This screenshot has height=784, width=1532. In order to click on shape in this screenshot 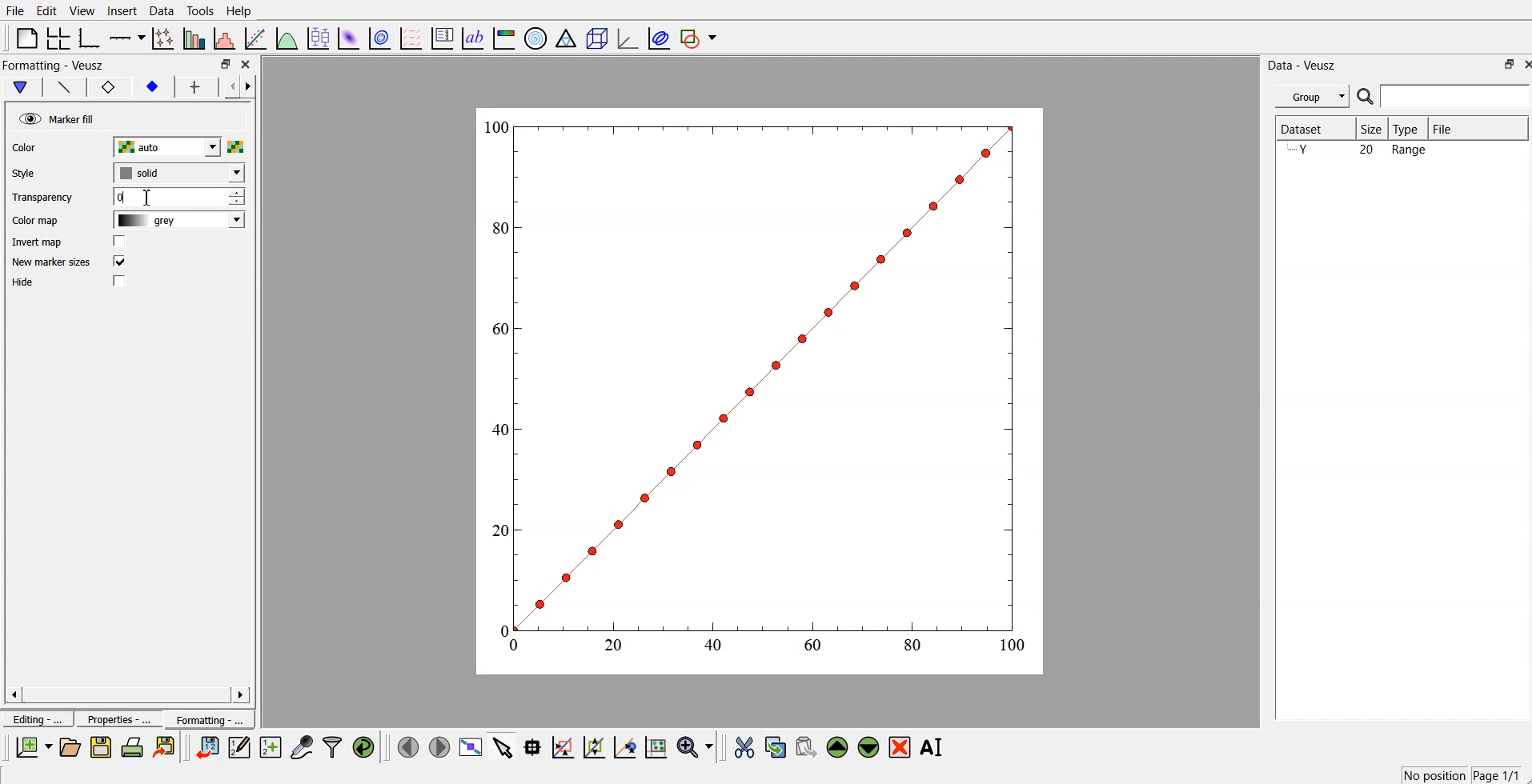, I will do `click(110, 86)`.